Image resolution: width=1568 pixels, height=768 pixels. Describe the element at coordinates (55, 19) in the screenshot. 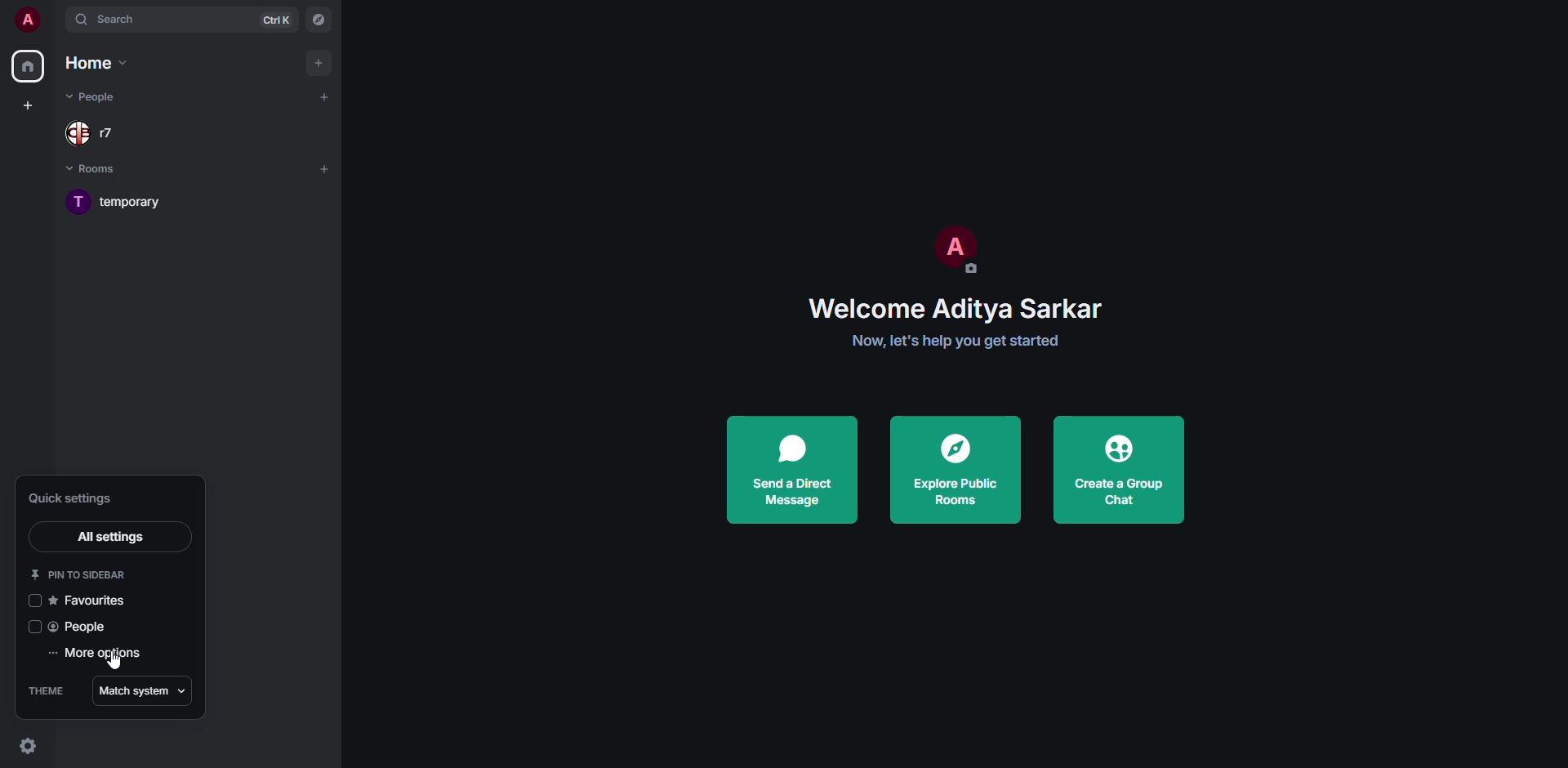

I see `expand` at that location.